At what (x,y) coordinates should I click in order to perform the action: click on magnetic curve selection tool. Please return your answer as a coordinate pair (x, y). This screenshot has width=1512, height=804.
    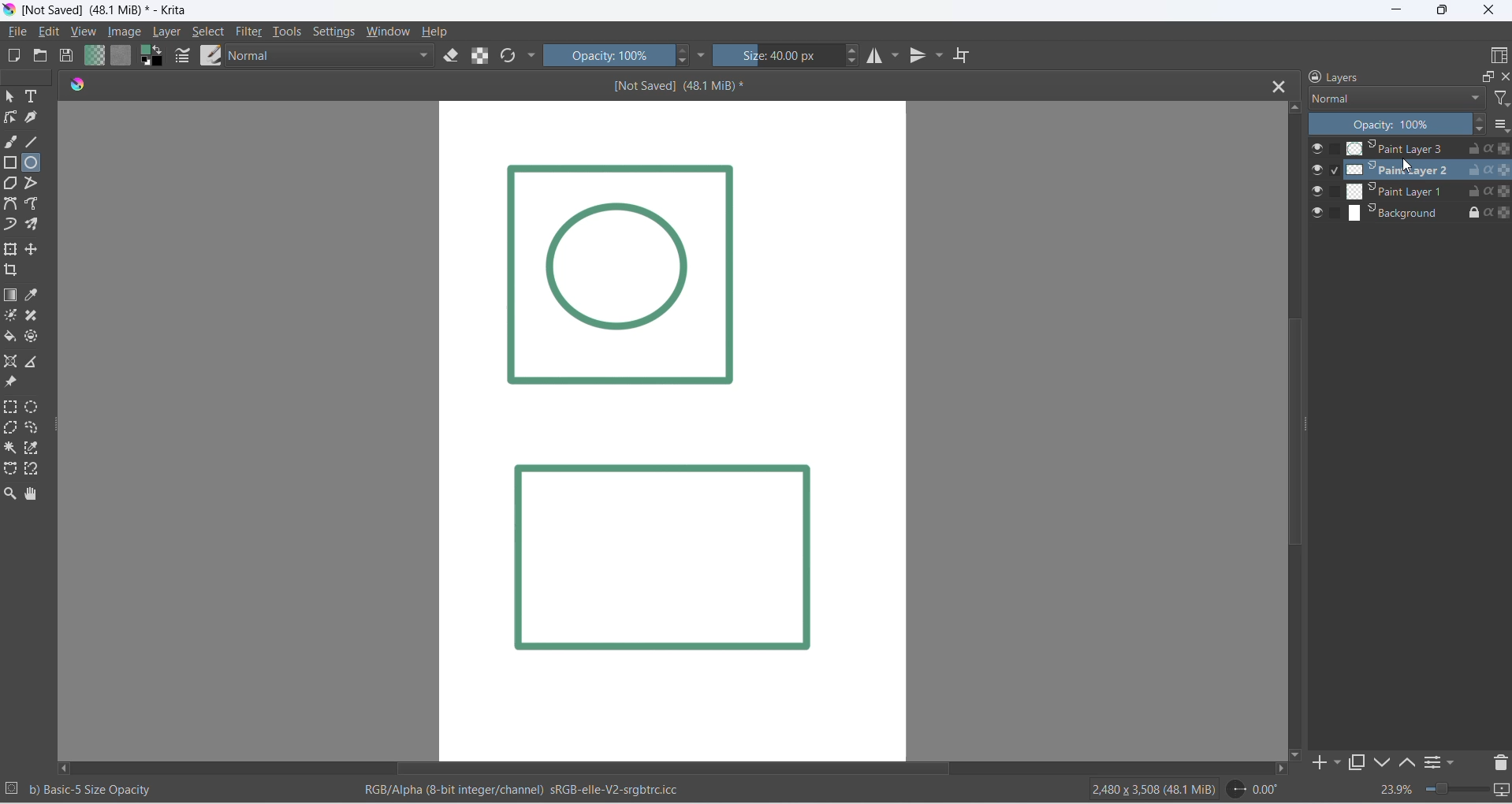
    Looking at the image, I should click on (32, 471).